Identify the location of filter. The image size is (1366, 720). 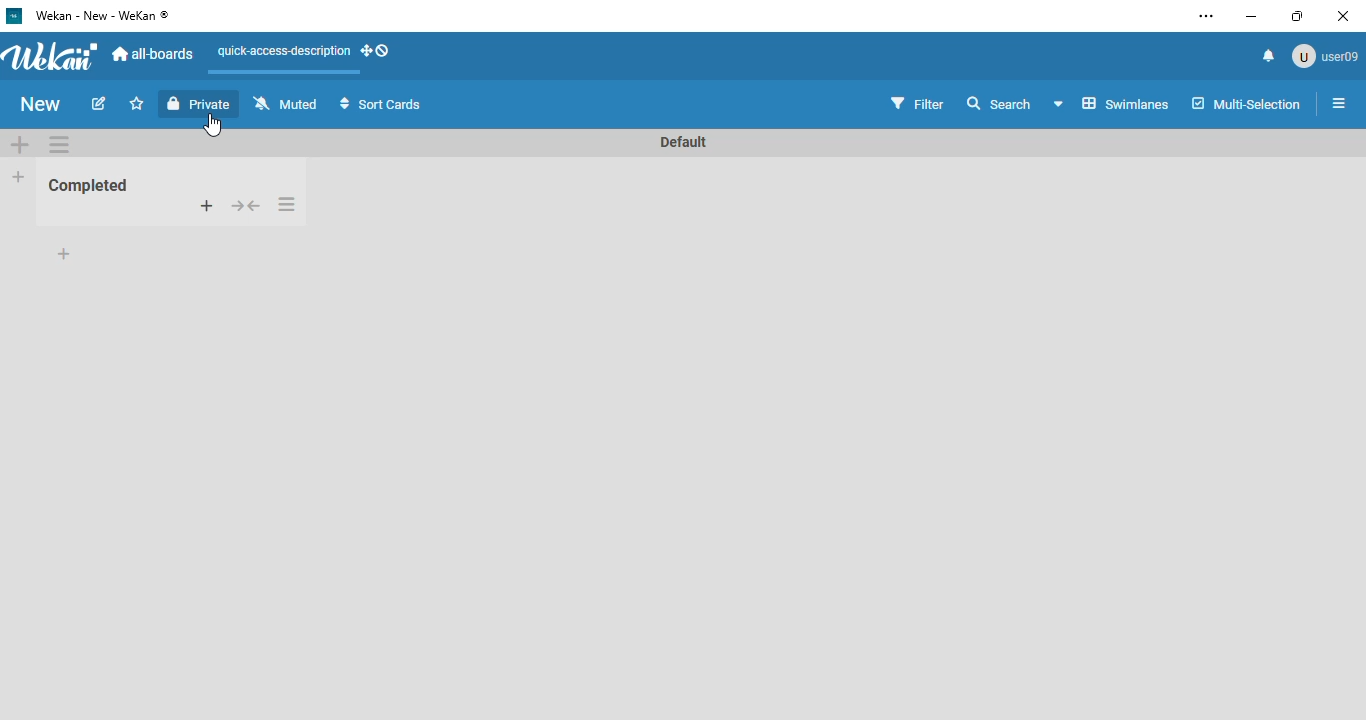
(916, 104).